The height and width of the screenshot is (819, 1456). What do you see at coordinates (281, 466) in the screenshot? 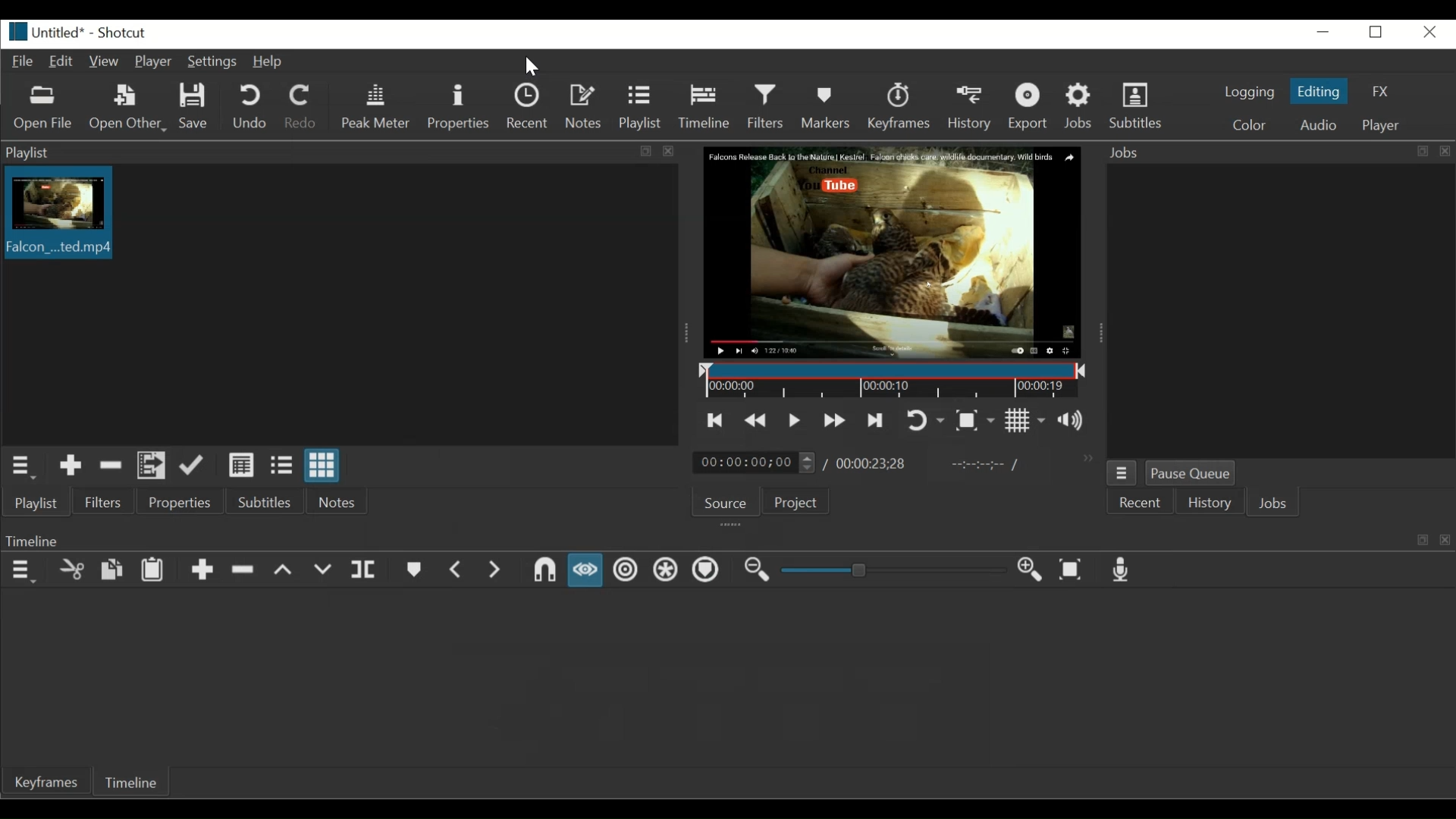
I see `View as file` at bounding box center [281, 466].